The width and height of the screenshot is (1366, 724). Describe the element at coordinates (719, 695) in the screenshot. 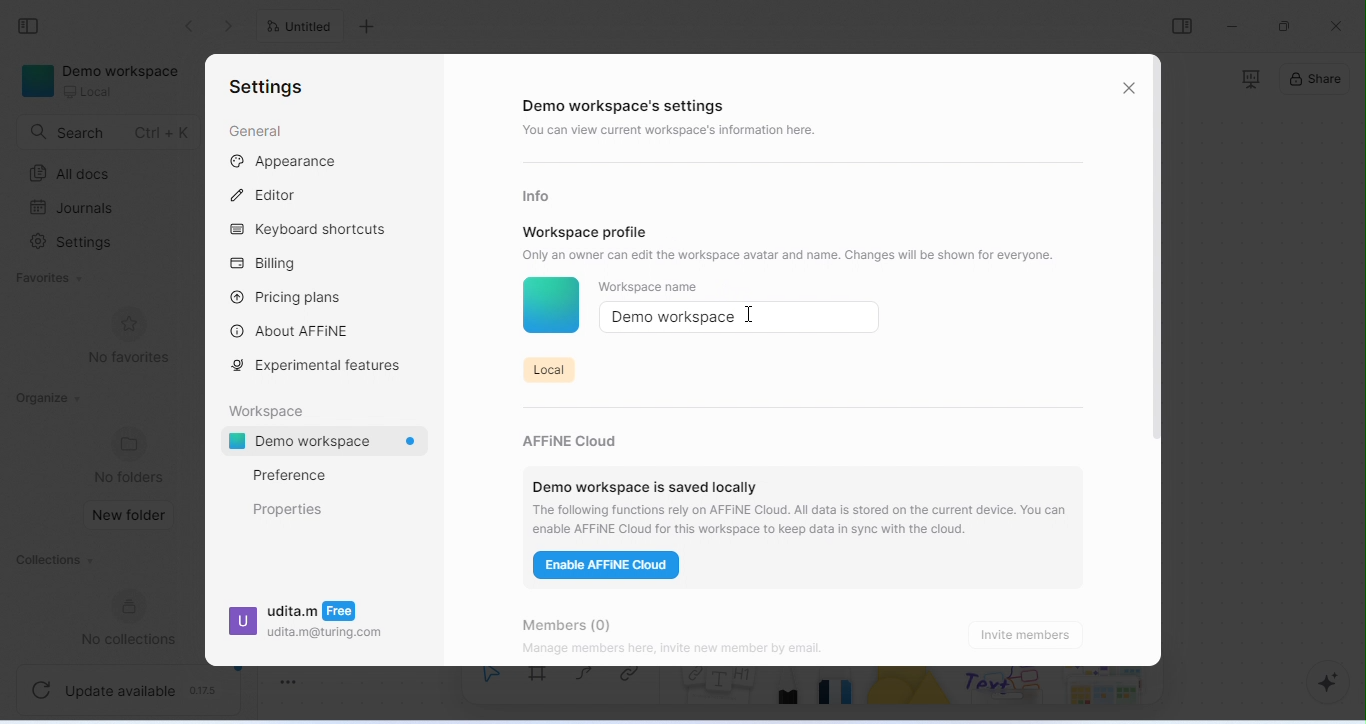

I see `notes` at that location.